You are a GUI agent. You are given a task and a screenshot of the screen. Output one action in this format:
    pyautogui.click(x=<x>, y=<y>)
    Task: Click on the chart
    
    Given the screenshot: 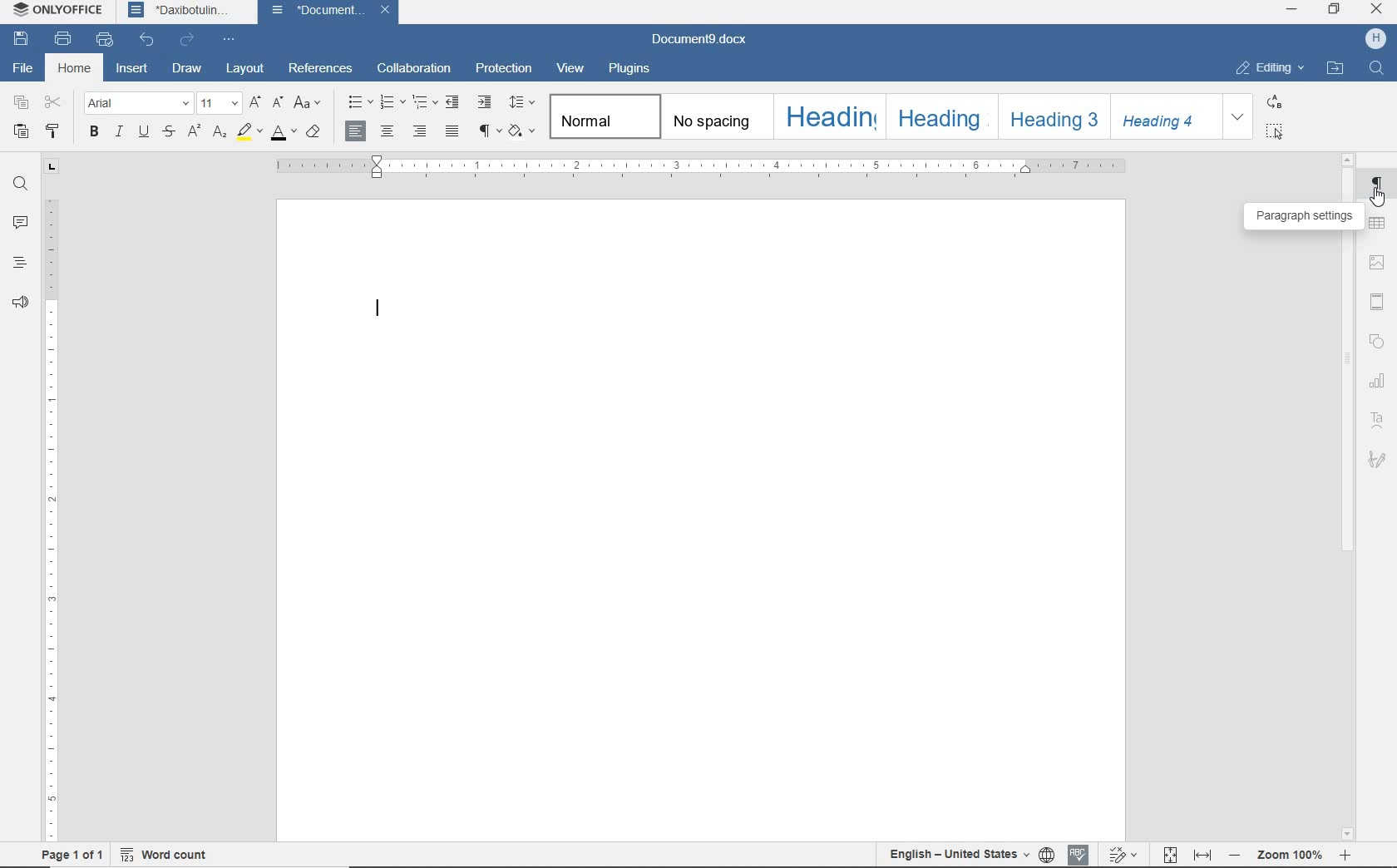 What is the action you would take?
    pyautogui.click(x=1378, y=382)
    